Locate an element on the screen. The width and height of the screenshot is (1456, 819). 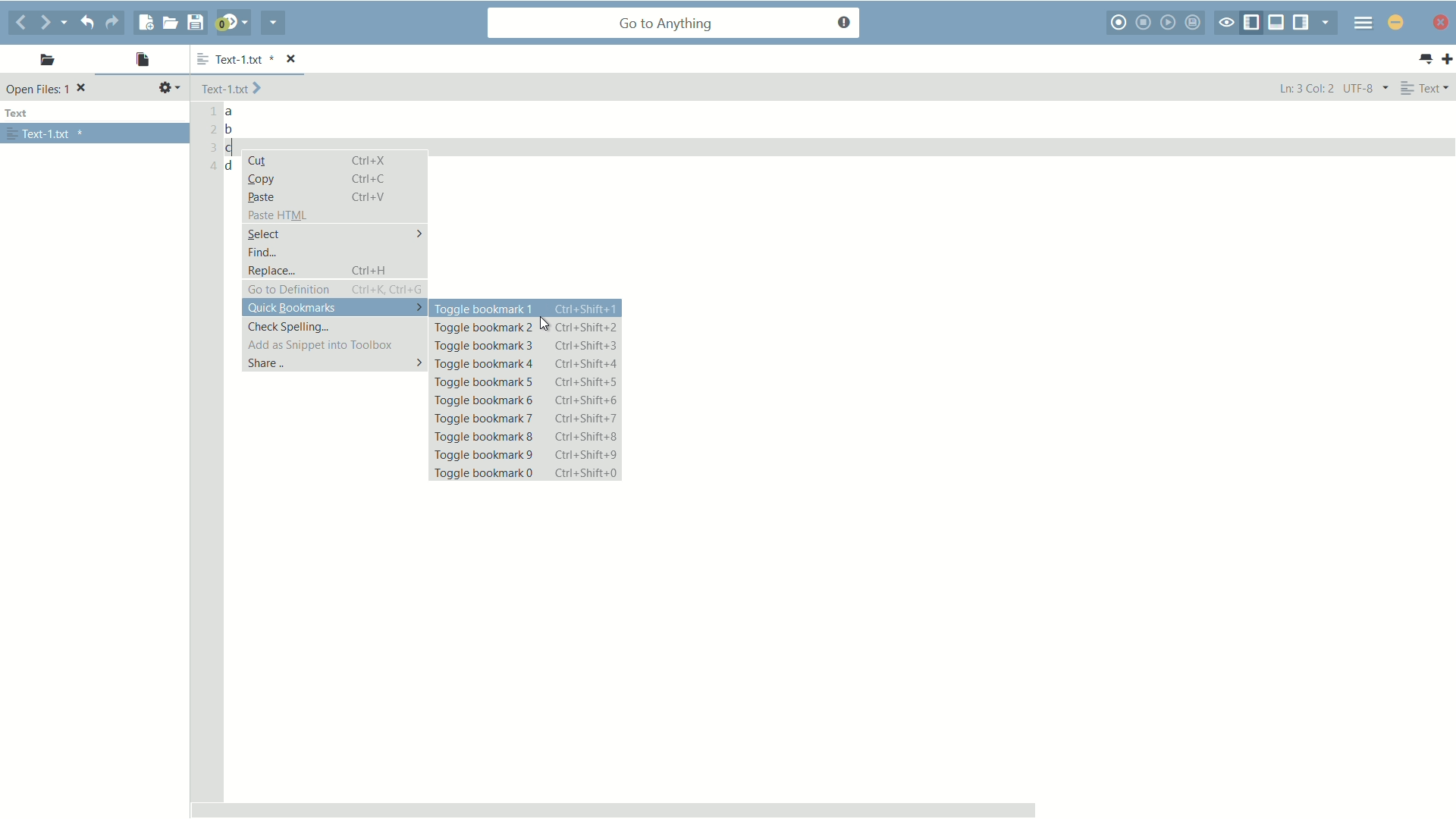
show/hide bottom pane is located at coordinates (1276, 22).